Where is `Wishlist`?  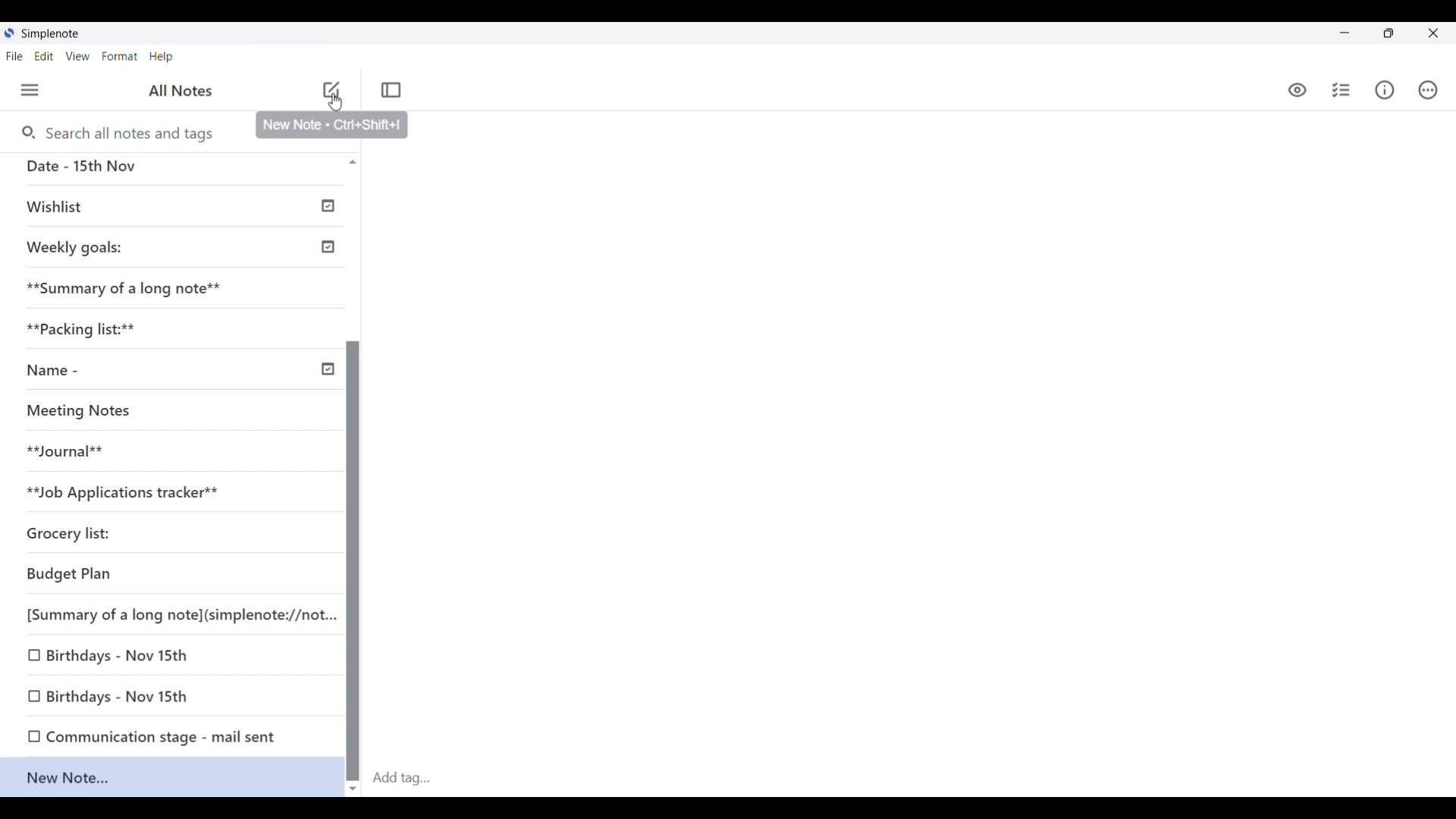 Wishlist is located at coordinates (58, 207).